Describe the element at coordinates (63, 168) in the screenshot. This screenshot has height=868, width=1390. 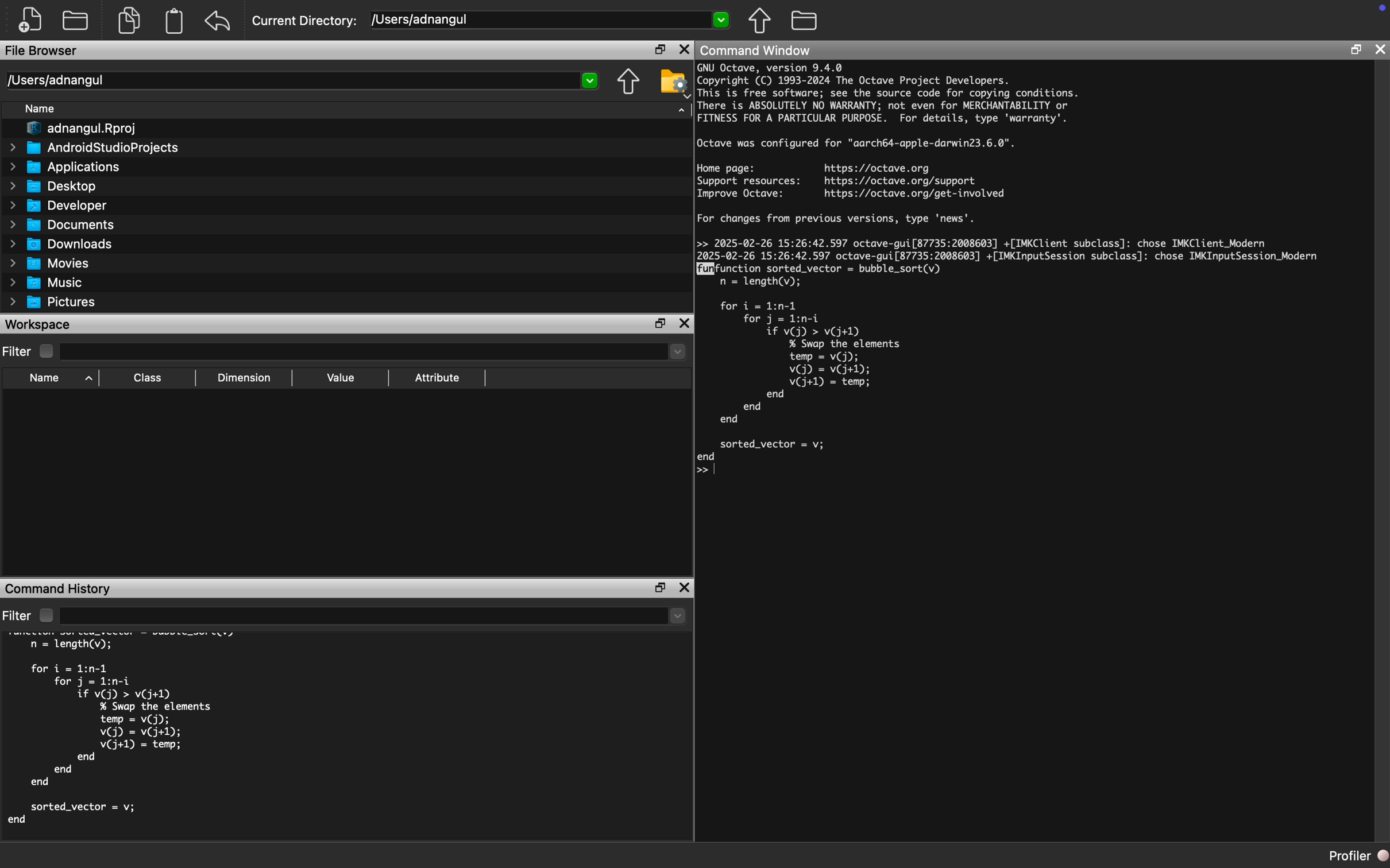
I see `Applications` at that location.